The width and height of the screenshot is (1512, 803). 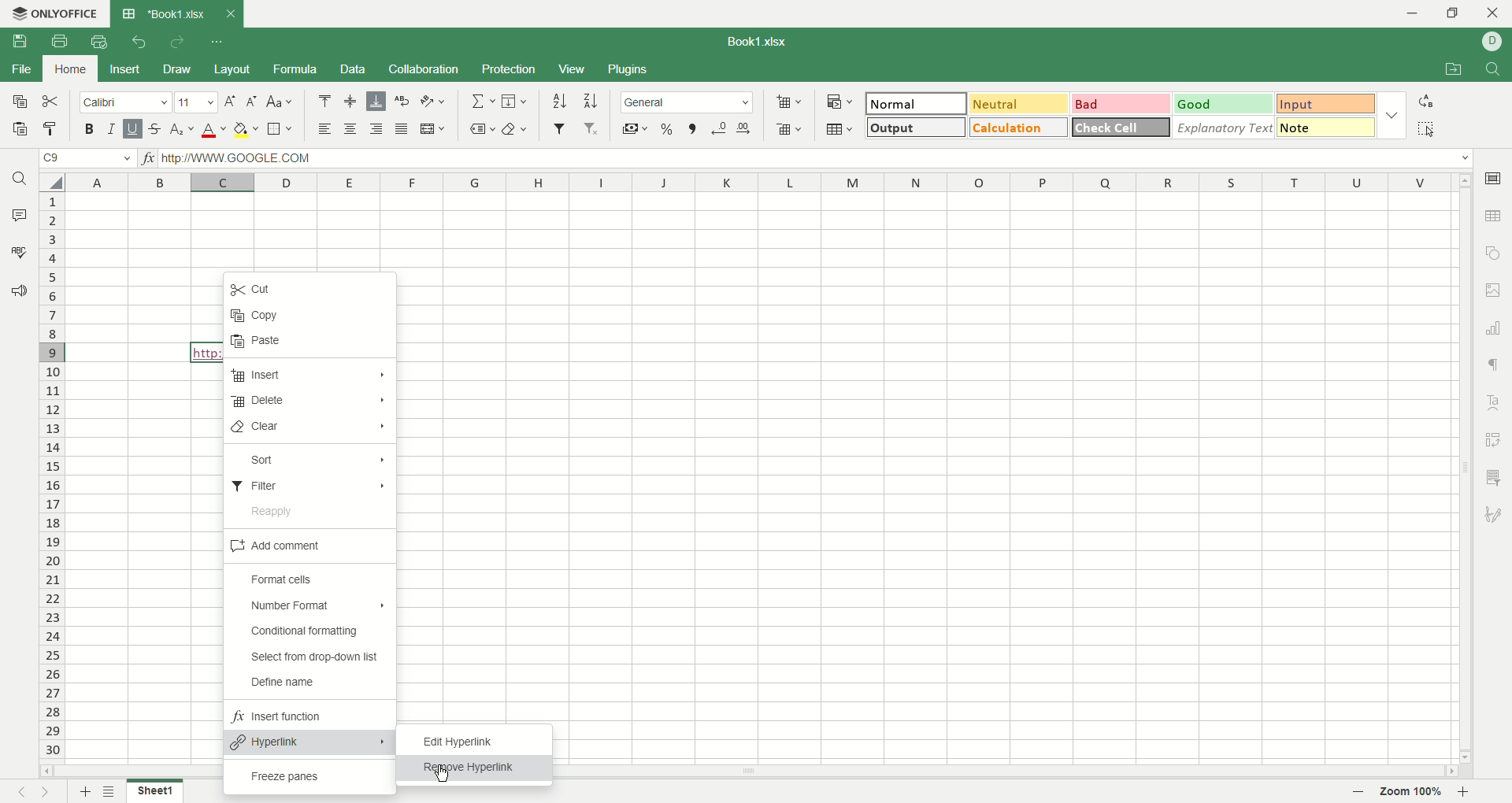 I want to click on undo, so click(x=140, y=42).